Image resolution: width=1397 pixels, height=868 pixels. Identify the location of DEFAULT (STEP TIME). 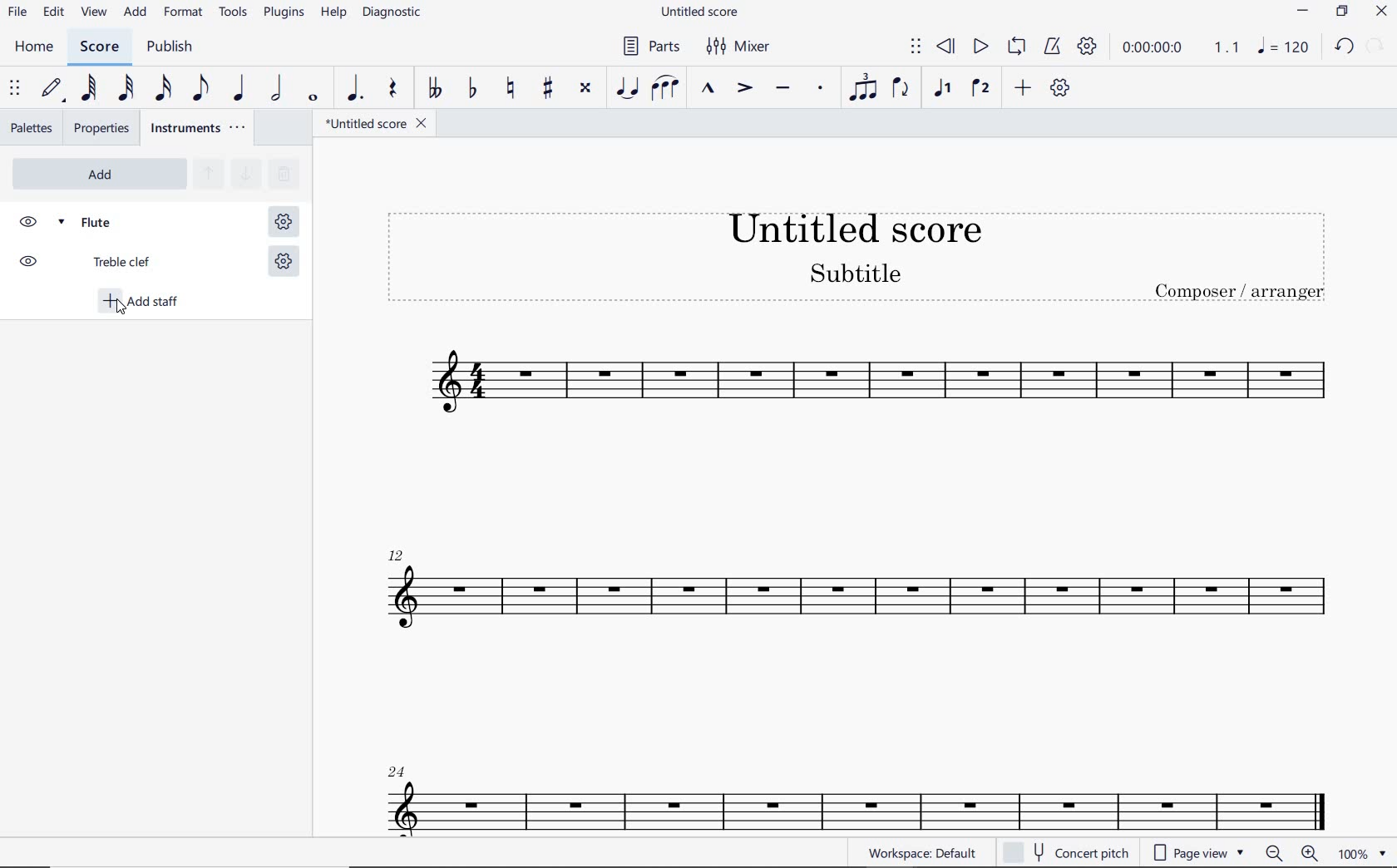
(52, 89).